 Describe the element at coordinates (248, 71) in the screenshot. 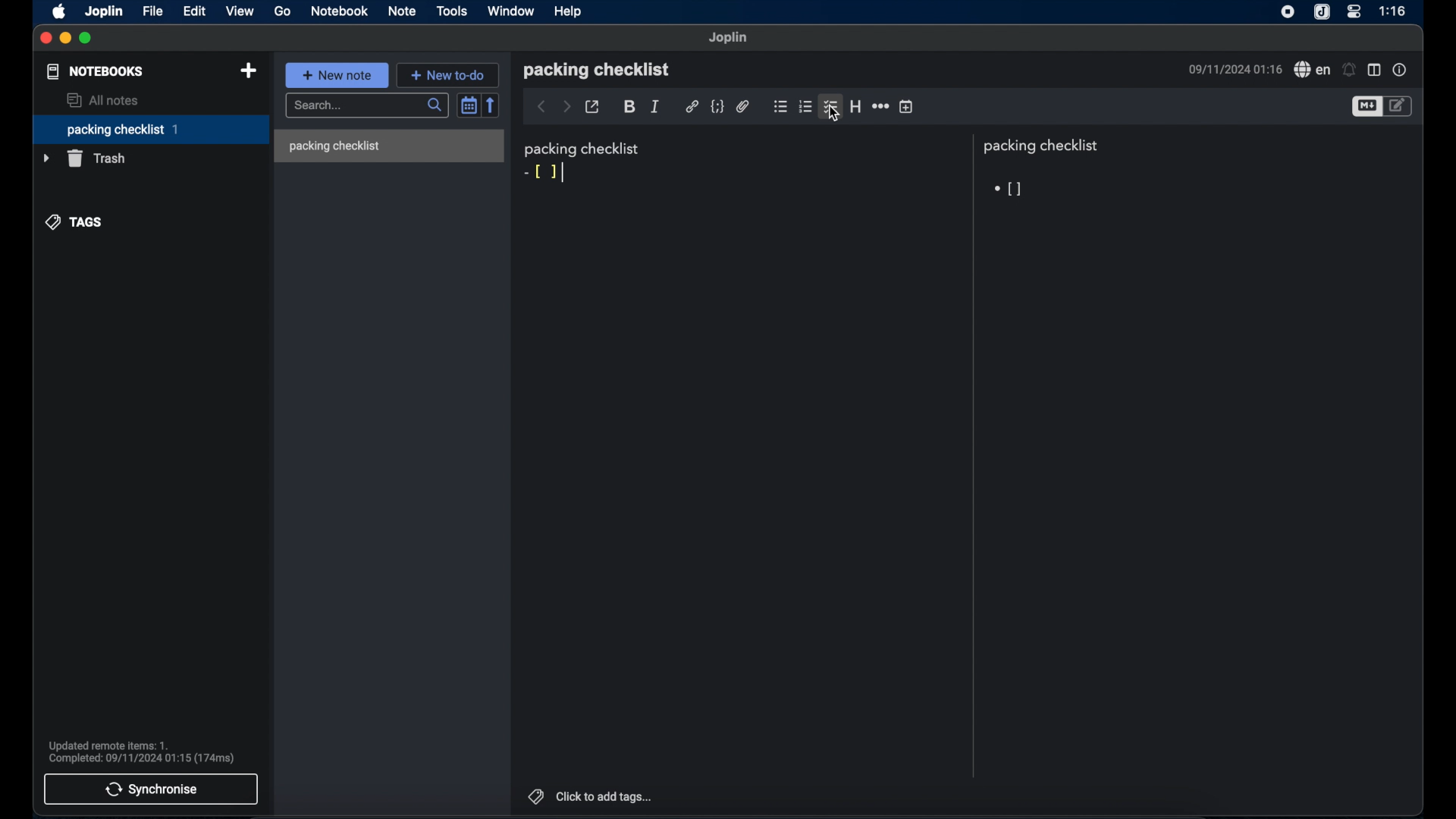

I see `new notebook` at that location.